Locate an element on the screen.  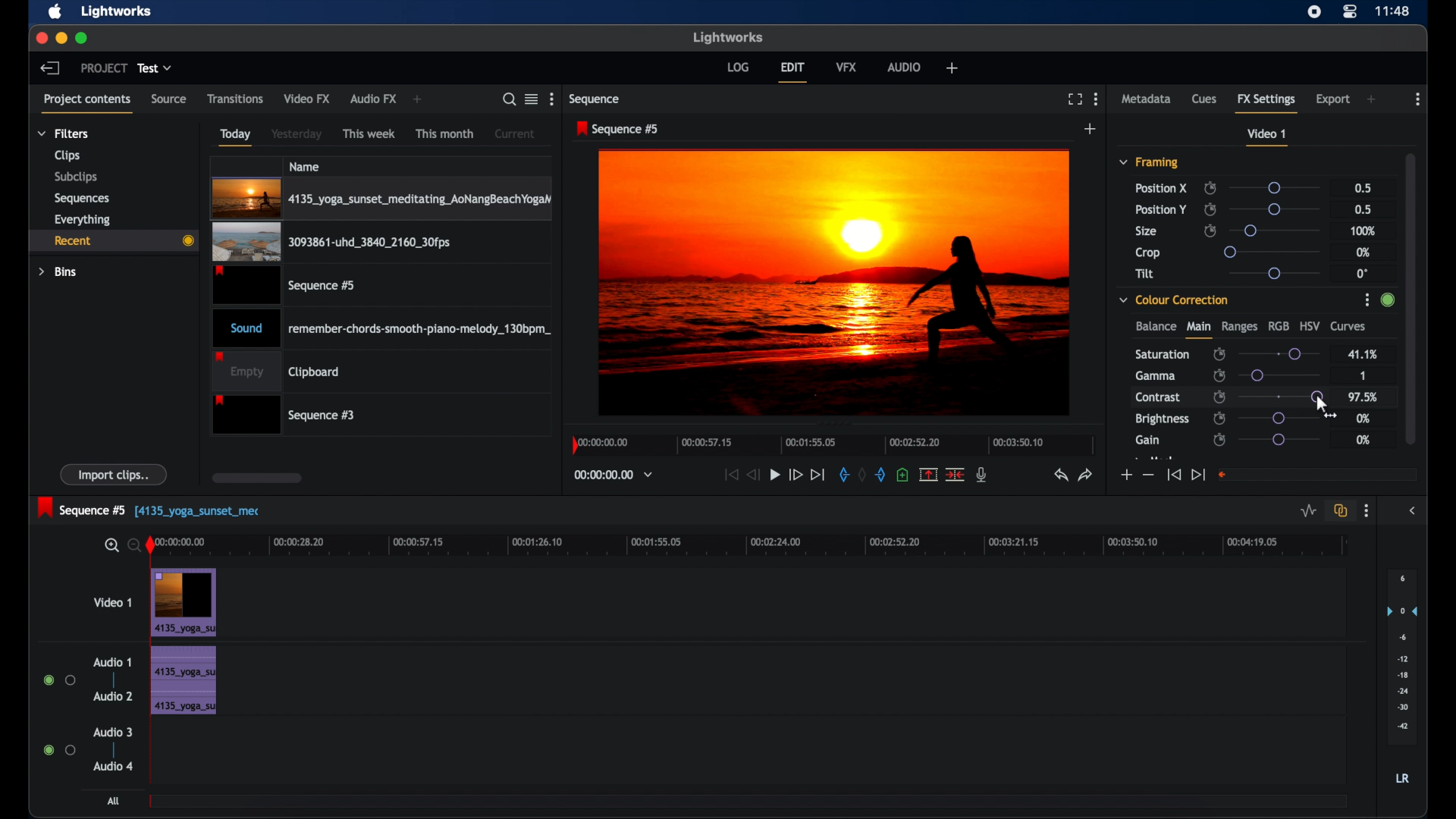
LR is located at coordinates (1402, 779).